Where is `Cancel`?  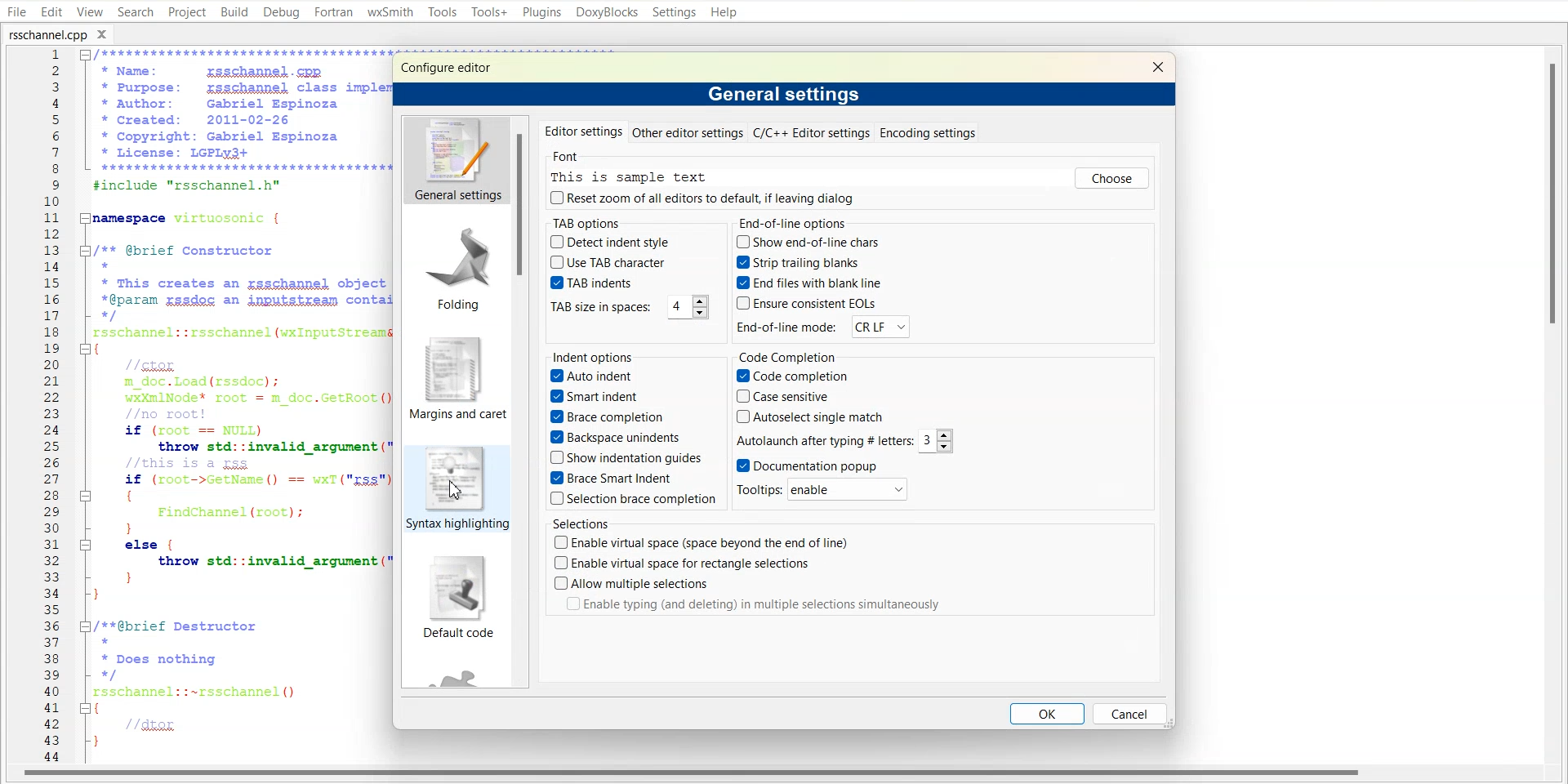
Cancel is located at coordinates (1131, 713).